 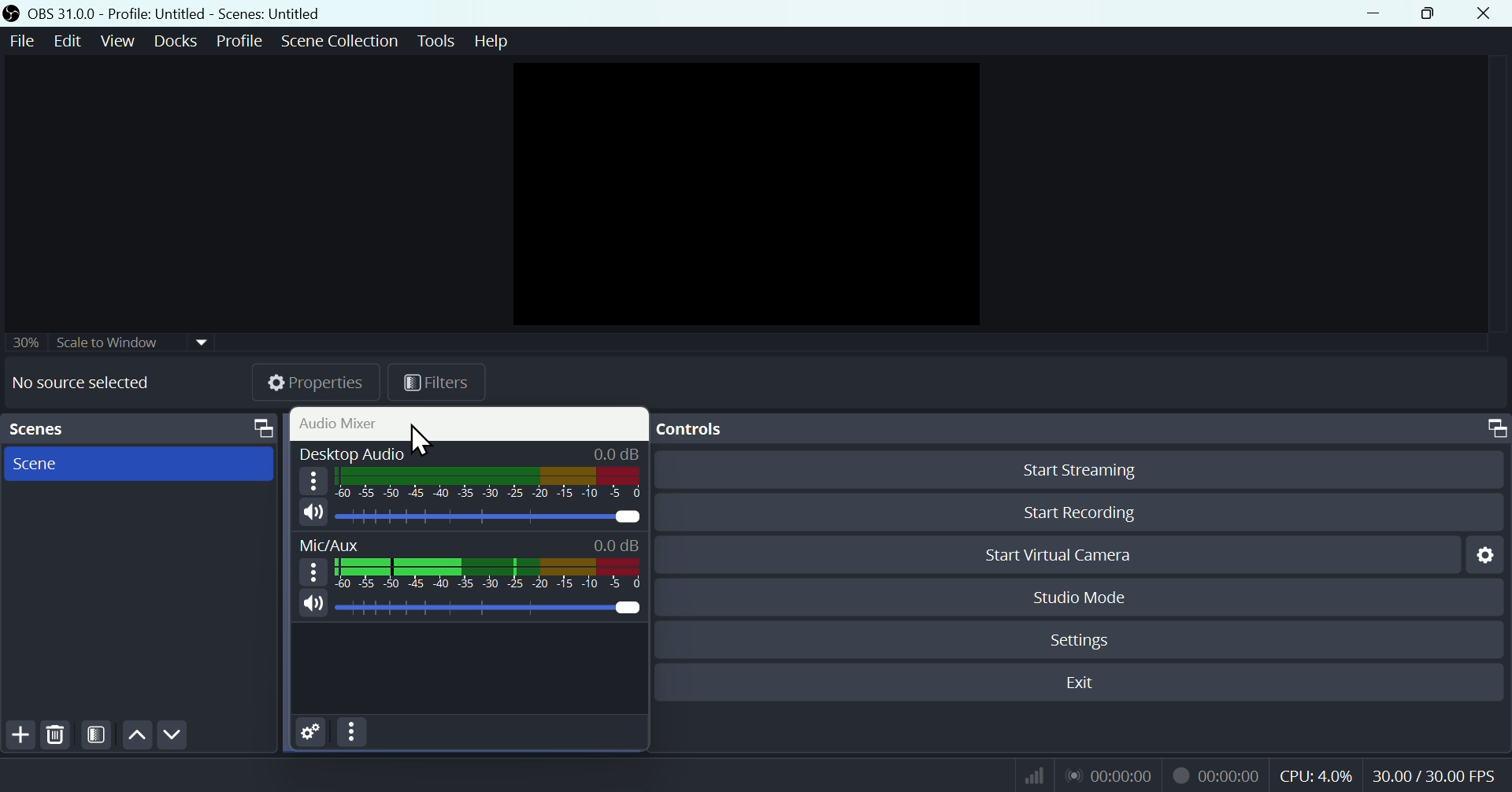 I want to click on Recording Status, so click(x=1216, y=775).